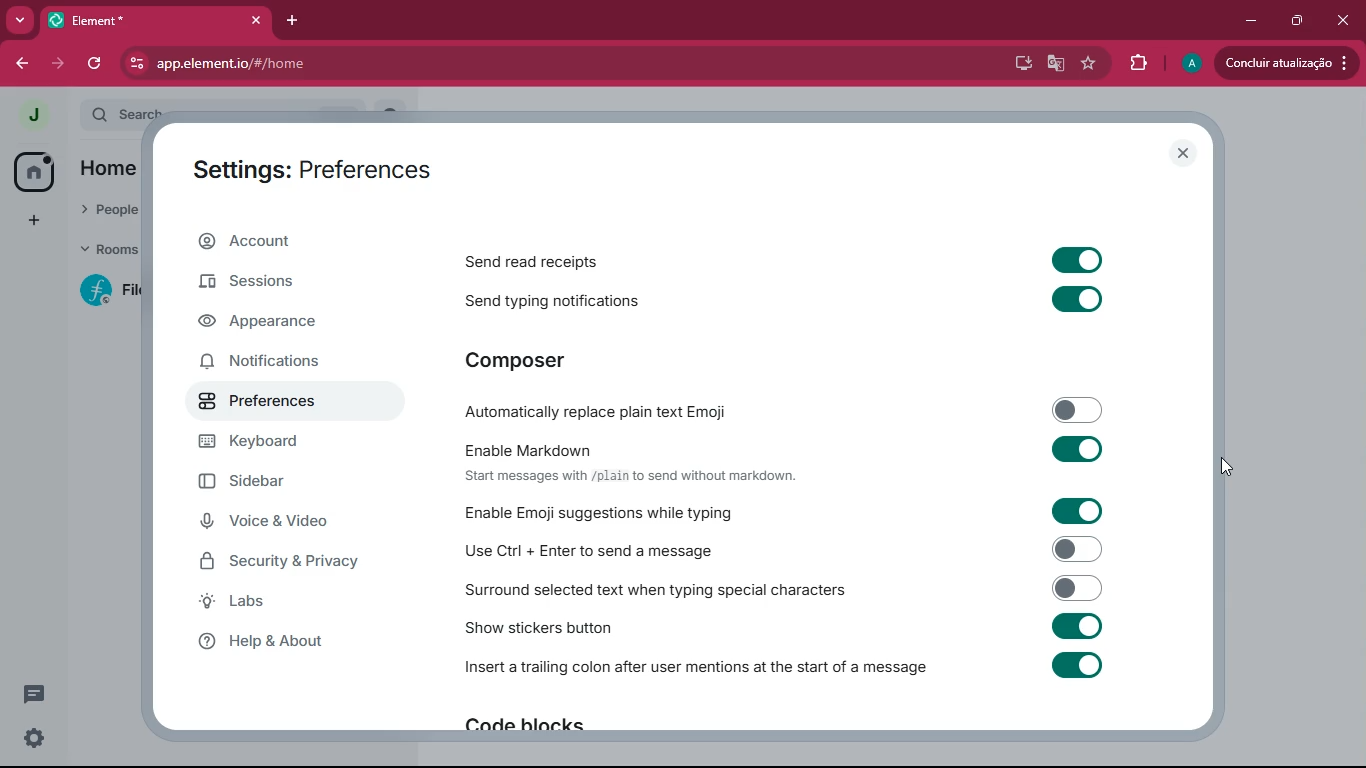 The image size is (1366, 768). I want to click on Send read receipts, so click(779, 258).